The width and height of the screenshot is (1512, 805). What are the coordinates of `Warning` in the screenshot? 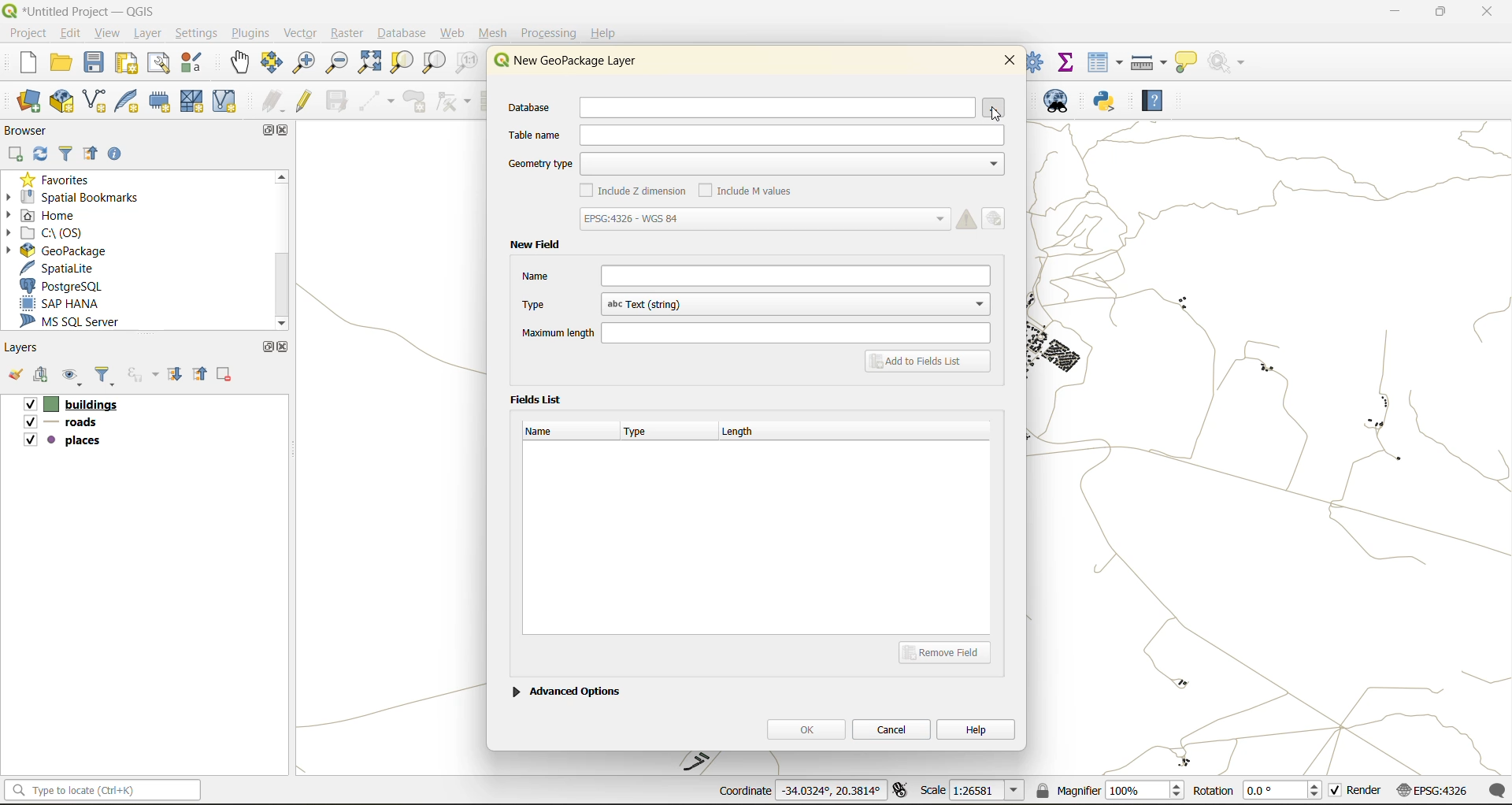 It's located at (967, 218).